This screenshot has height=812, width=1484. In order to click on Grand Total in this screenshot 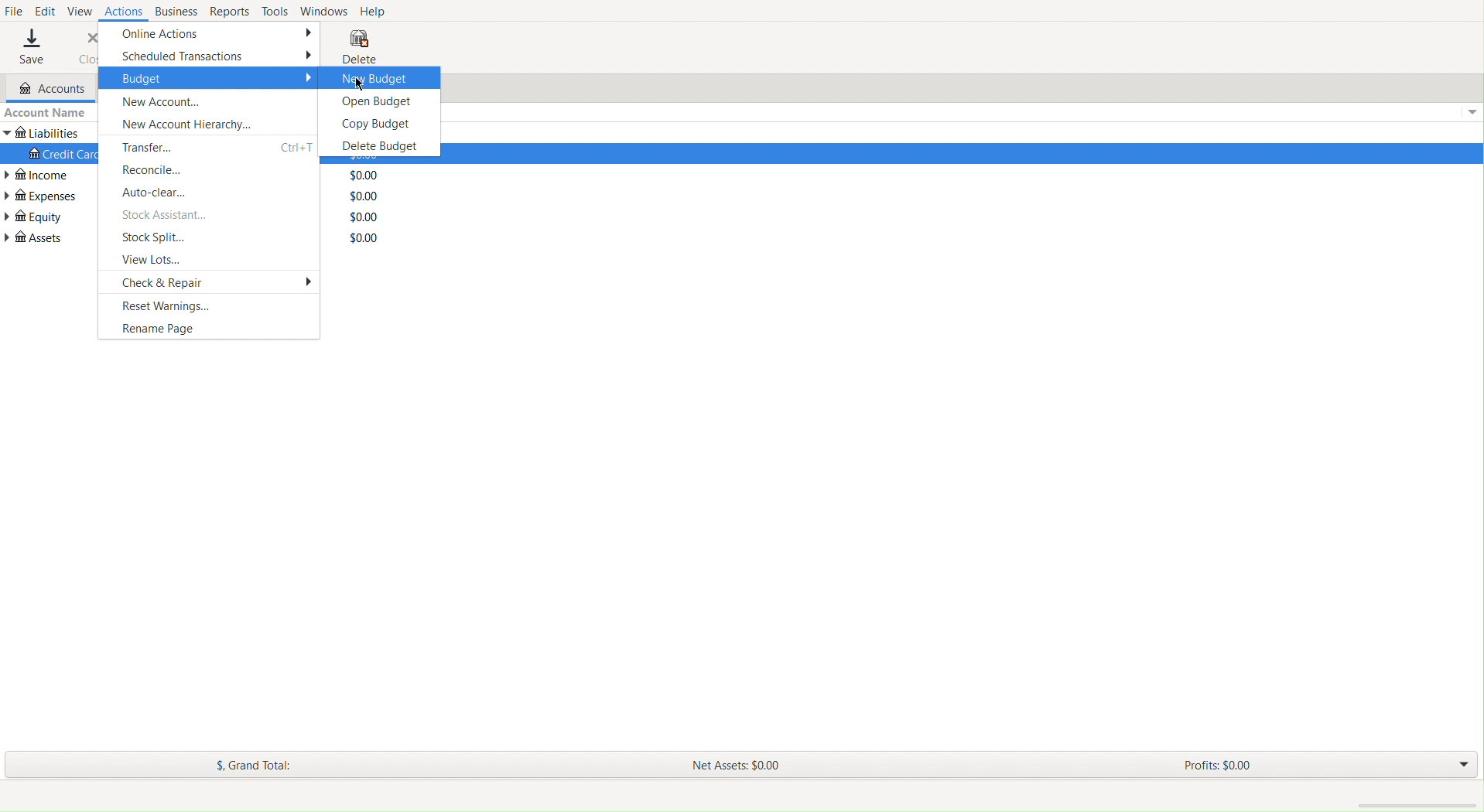, I will do `click(260, 763)`.